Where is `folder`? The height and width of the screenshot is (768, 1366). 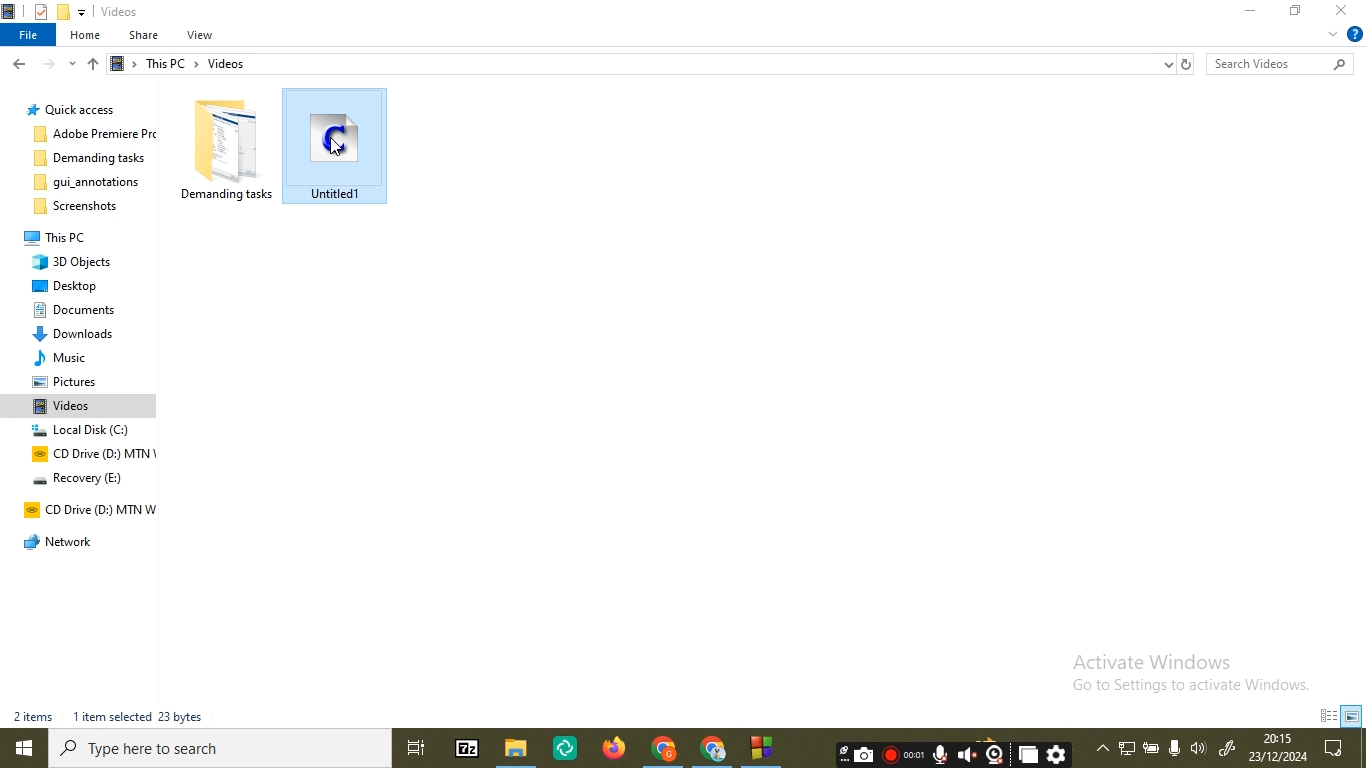 folder is located at coordinates (76, 482).